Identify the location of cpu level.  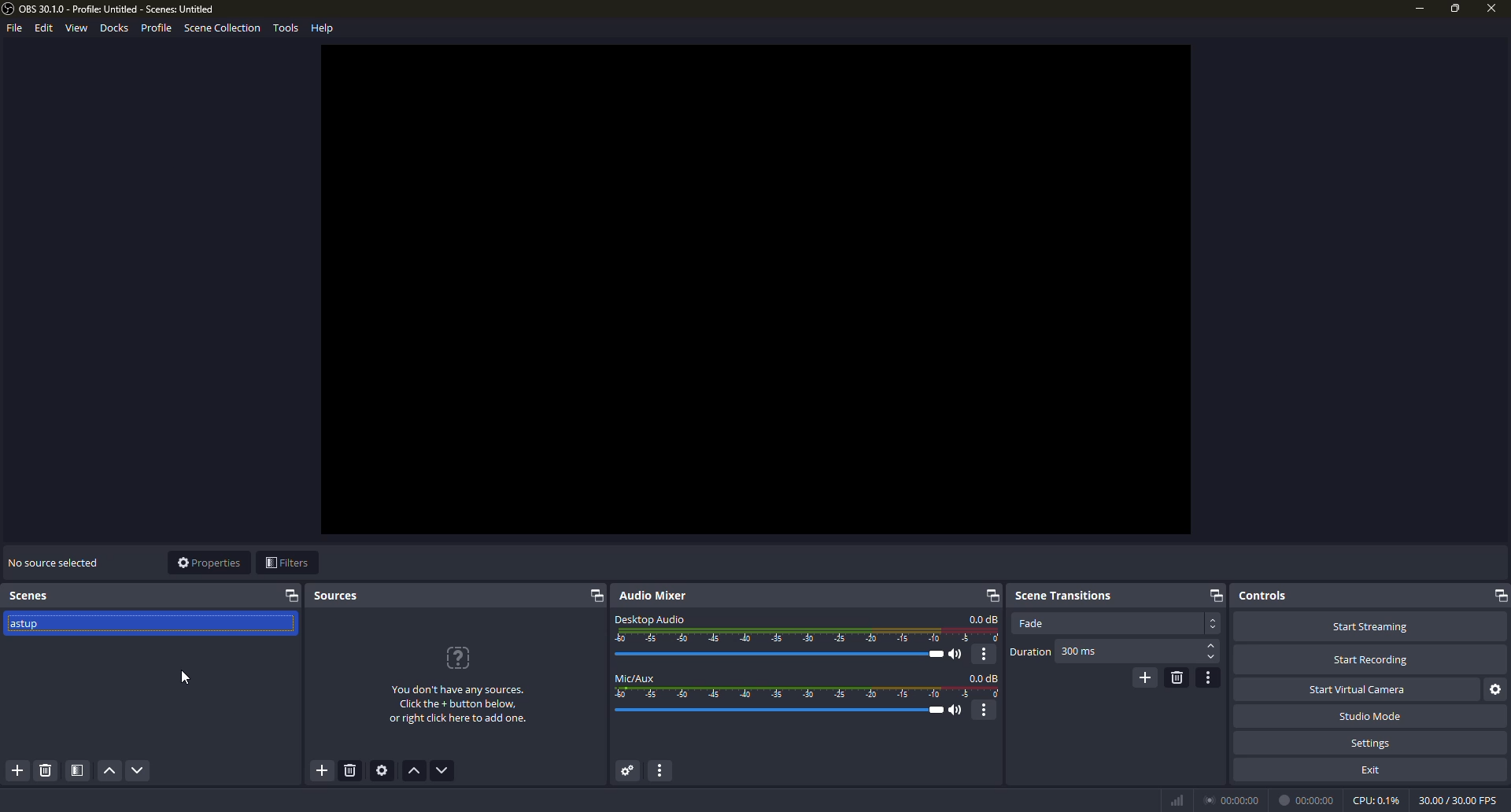
(1376, 799).